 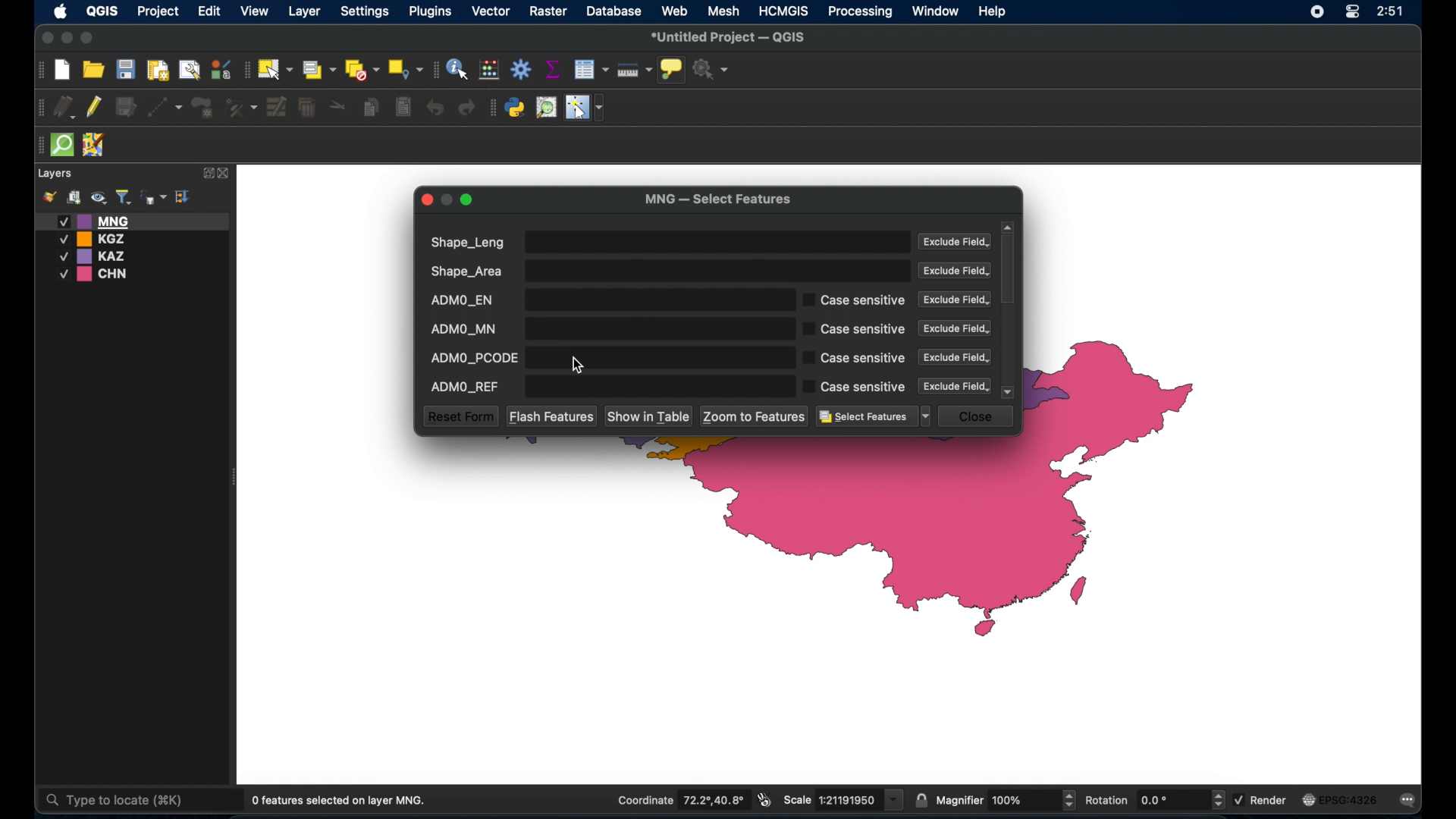 What do you see at coordinates (955, 328) in the screenshot?
I see `exclude field` at bounding box center [955, 328].